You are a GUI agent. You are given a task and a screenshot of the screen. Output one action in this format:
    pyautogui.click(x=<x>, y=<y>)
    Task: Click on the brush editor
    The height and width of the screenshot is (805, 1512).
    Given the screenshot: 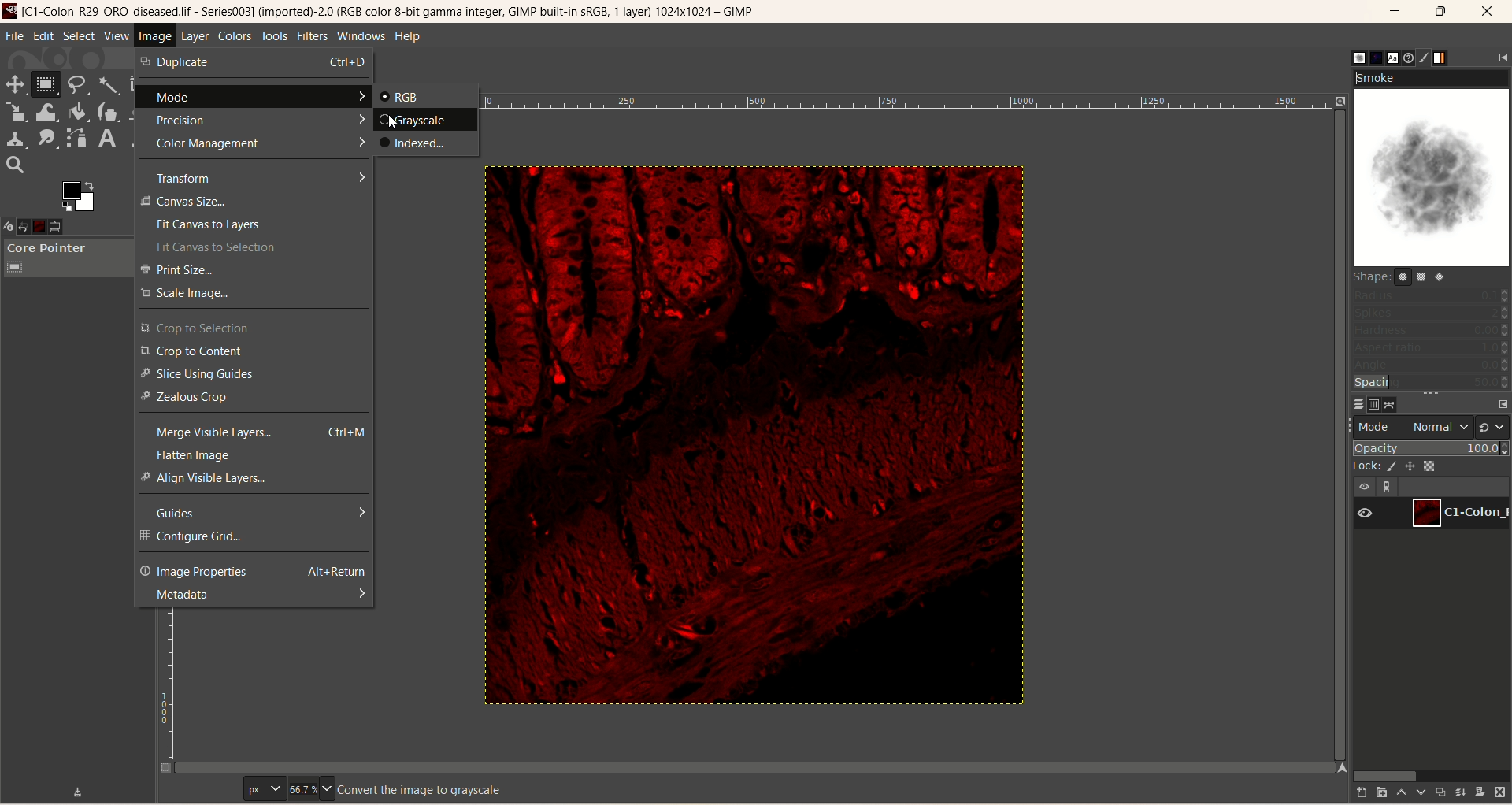 What is the action you would take?
    pyautogui.click(x=1423, y=57)
    